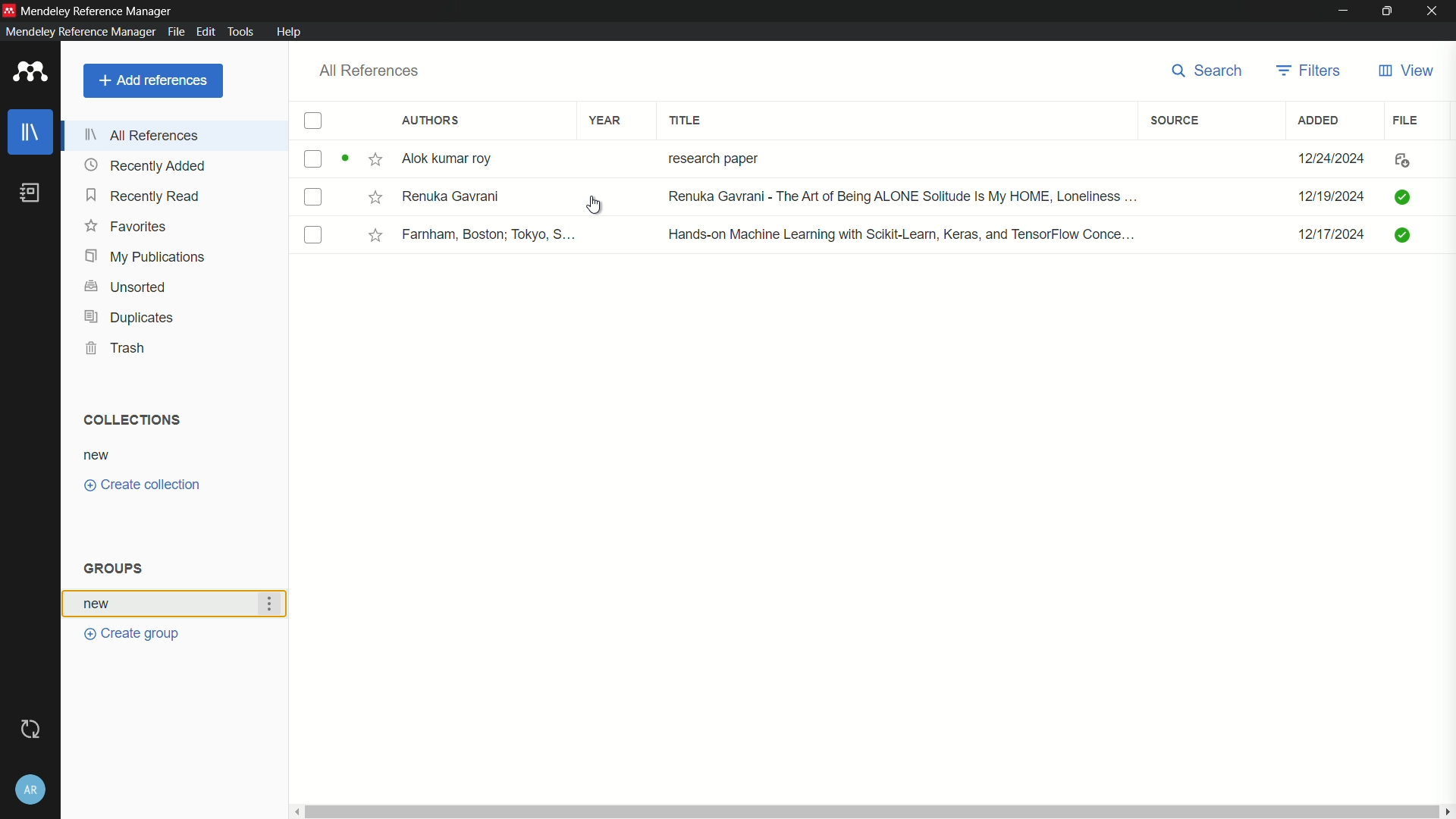 The width and height of the screenshot is (1456, 819). What do you see at coordinates (1319, 120) in the screenshot?
I see `added` at bounding box center [1319, 120].